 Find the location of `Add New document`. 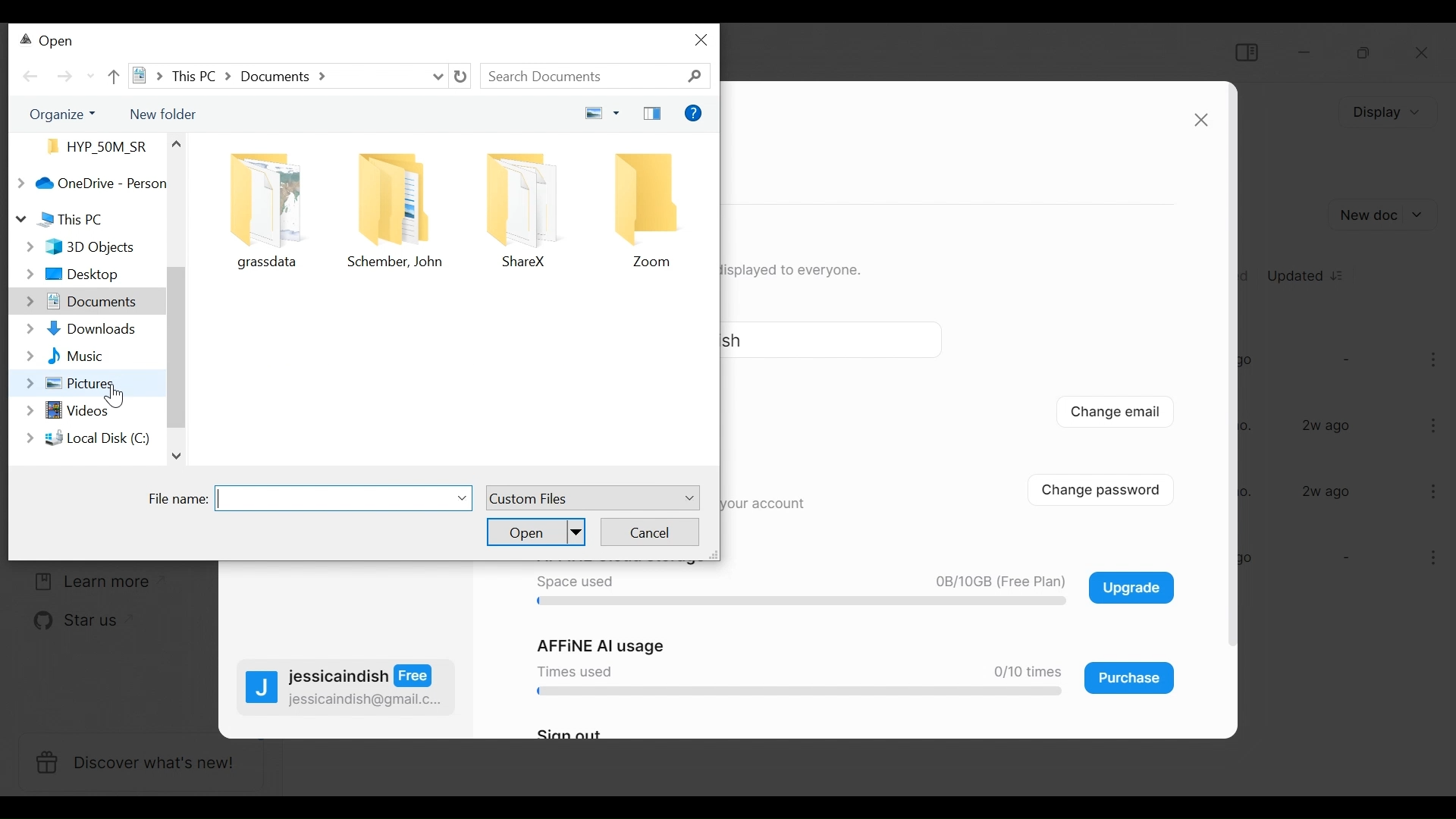

Add New document is located at coordinates (1385, 215).